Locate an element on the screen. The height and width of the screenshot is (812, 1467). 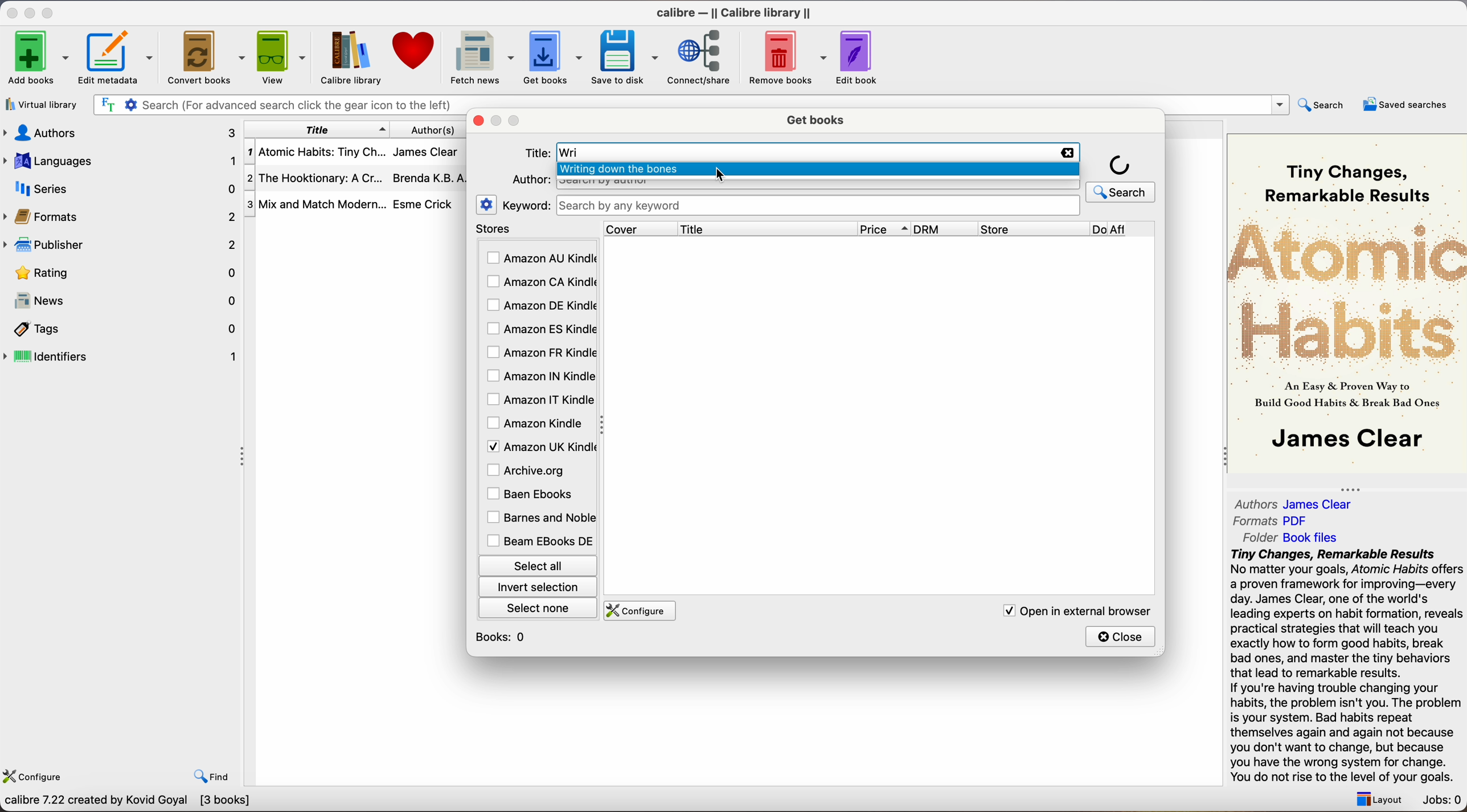
languages is located at coordinates (119, 160).